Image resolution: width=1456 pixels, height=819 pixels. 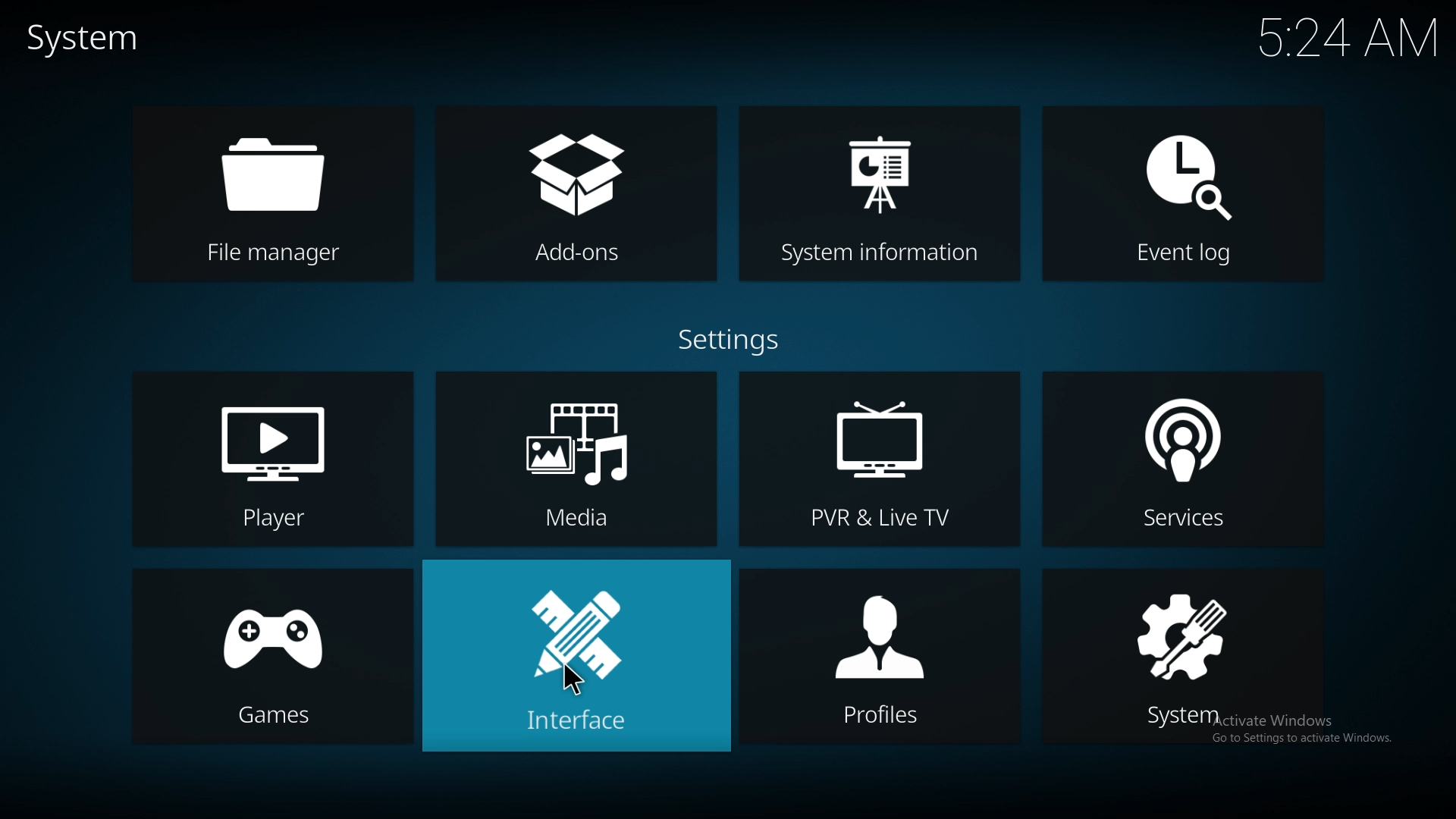 I want to click on system info, so click(x=880, y=195).